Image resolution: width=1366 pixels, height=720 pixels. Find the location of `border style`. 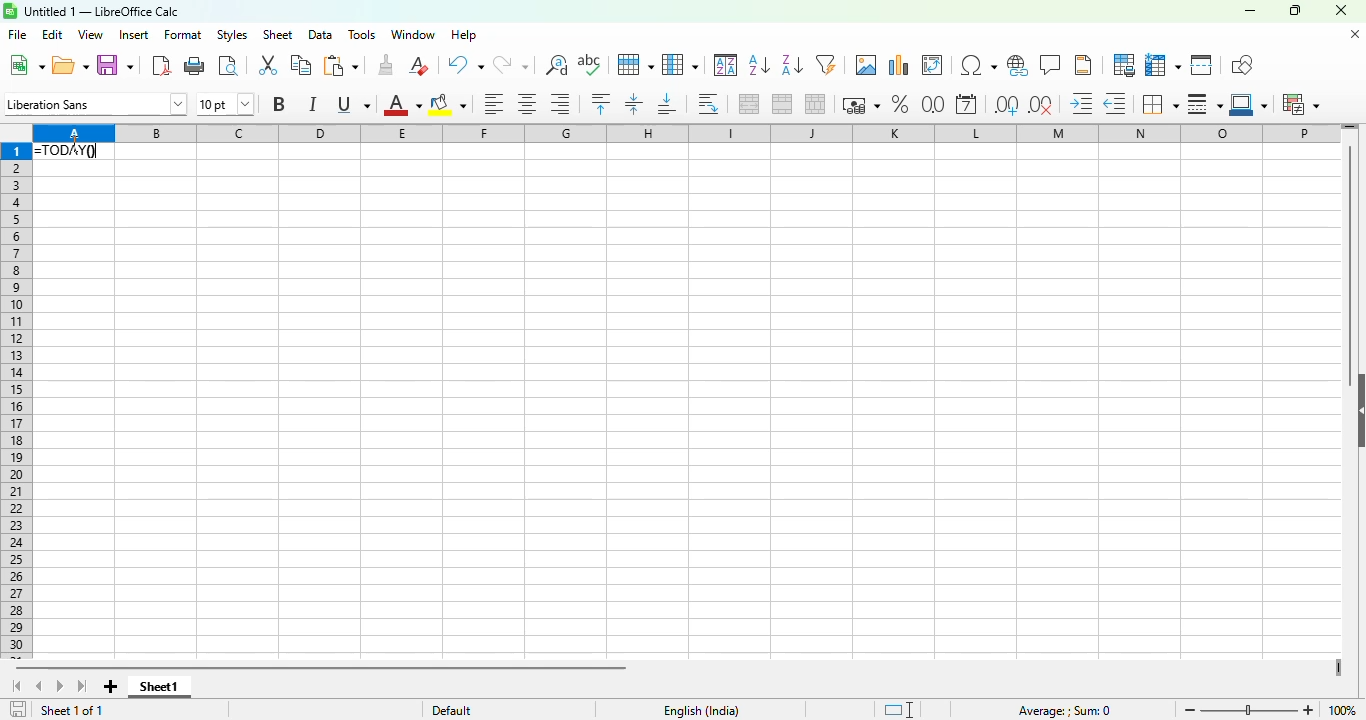

border style is located at coordinates (1205, 105).